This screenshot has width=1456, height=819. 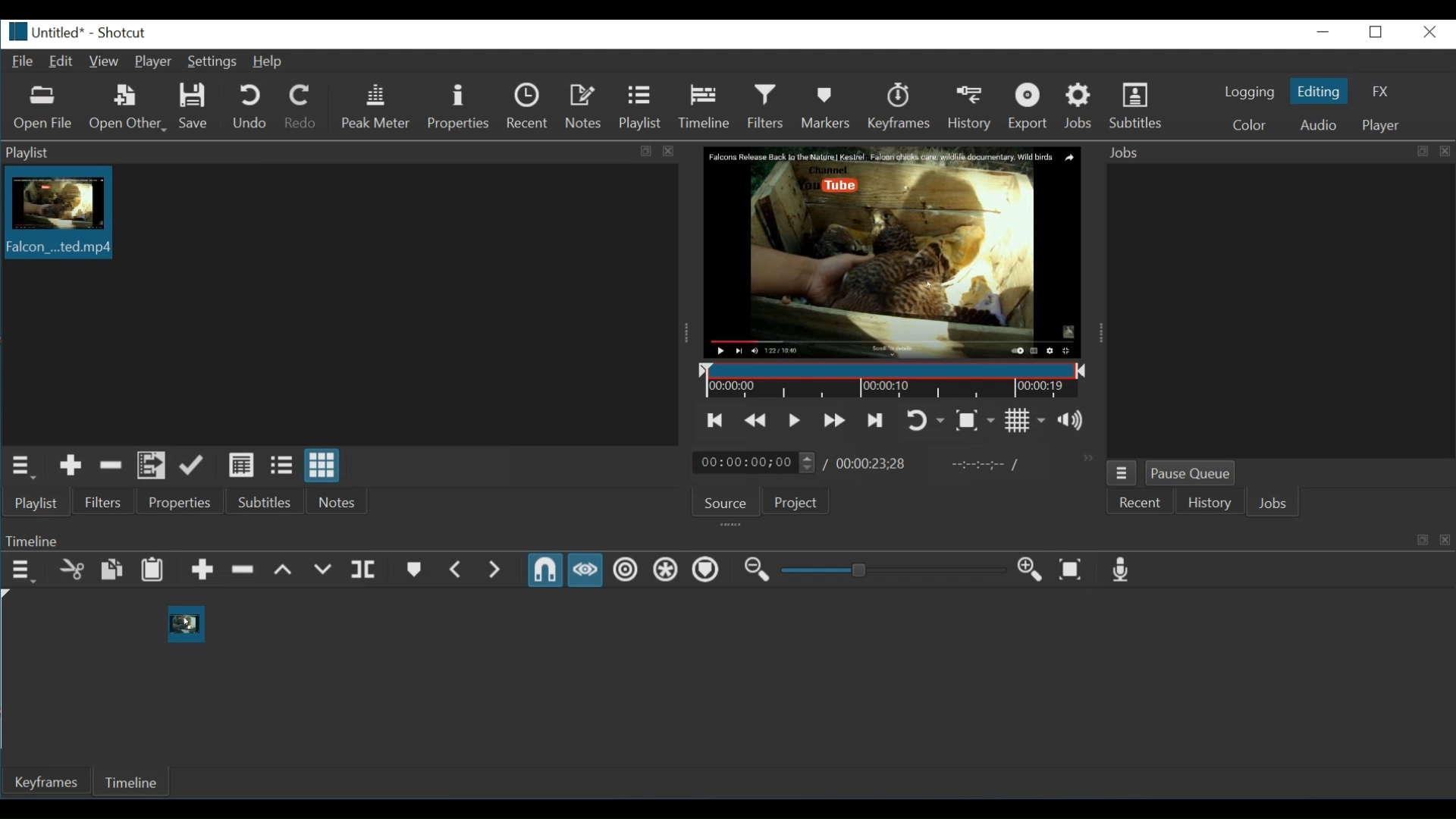 I want to click on View as detail, so click(x=242, y=466).